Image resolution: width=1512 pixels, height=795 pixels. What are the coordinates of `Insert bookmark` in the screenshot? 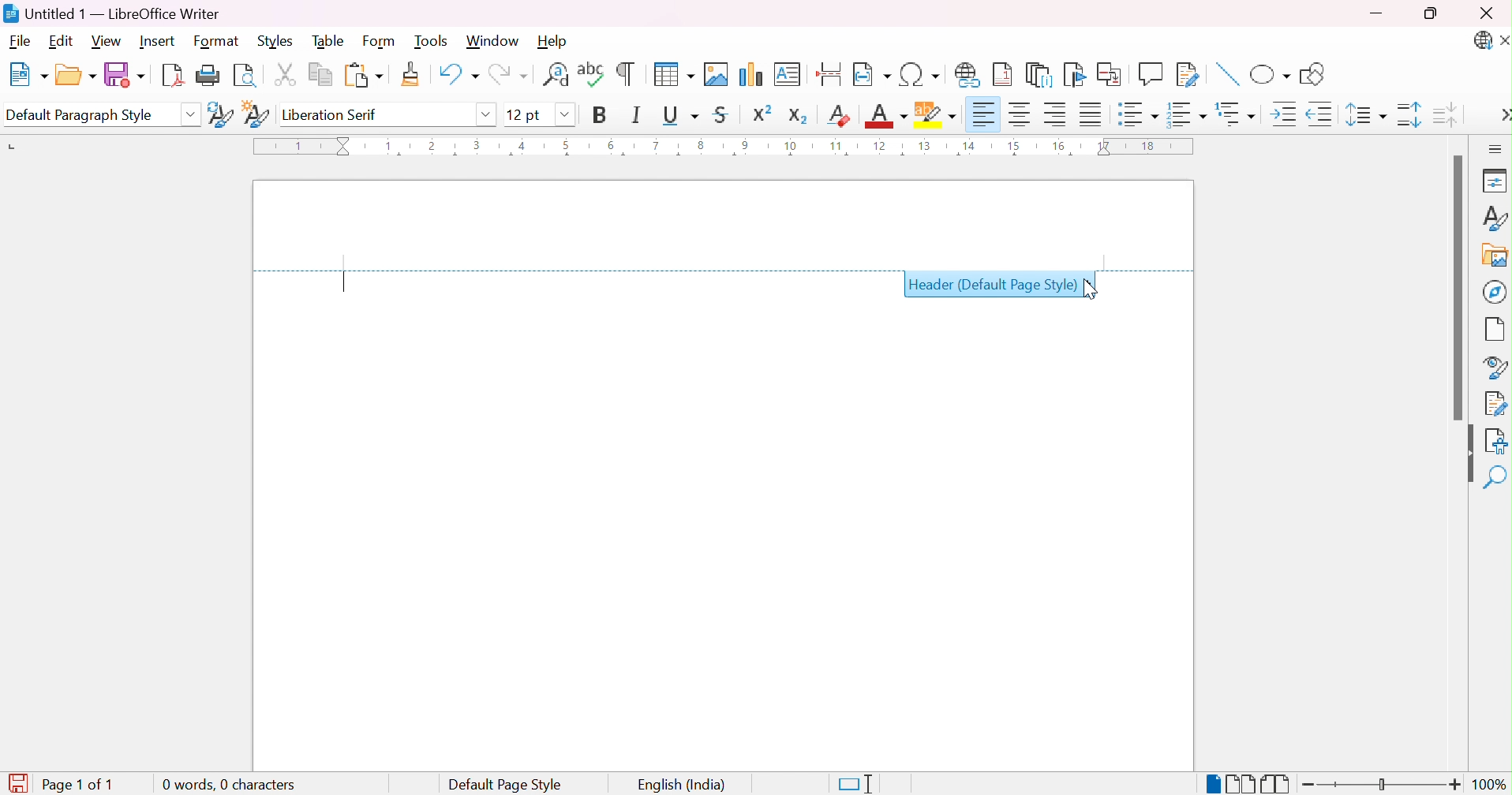 It's located at (1072, 76).